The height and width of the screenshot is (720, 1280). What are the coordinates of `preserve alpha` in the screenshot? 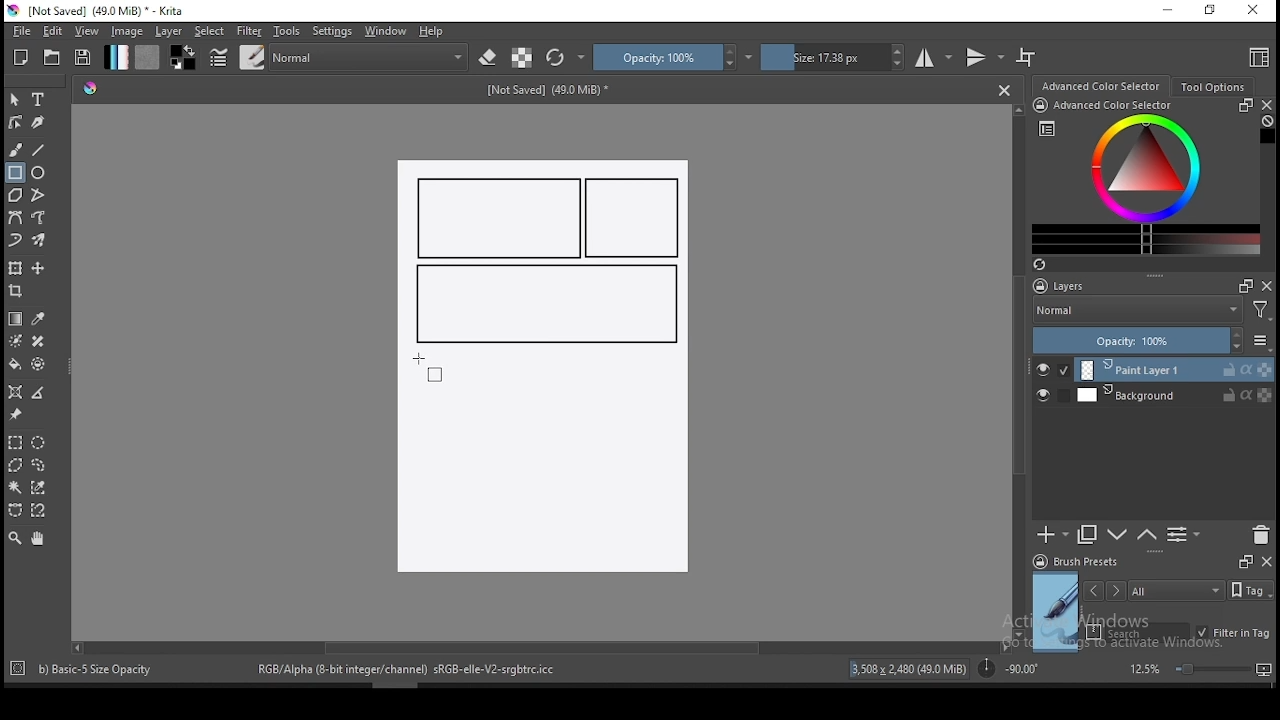 It's located at (522, 59).